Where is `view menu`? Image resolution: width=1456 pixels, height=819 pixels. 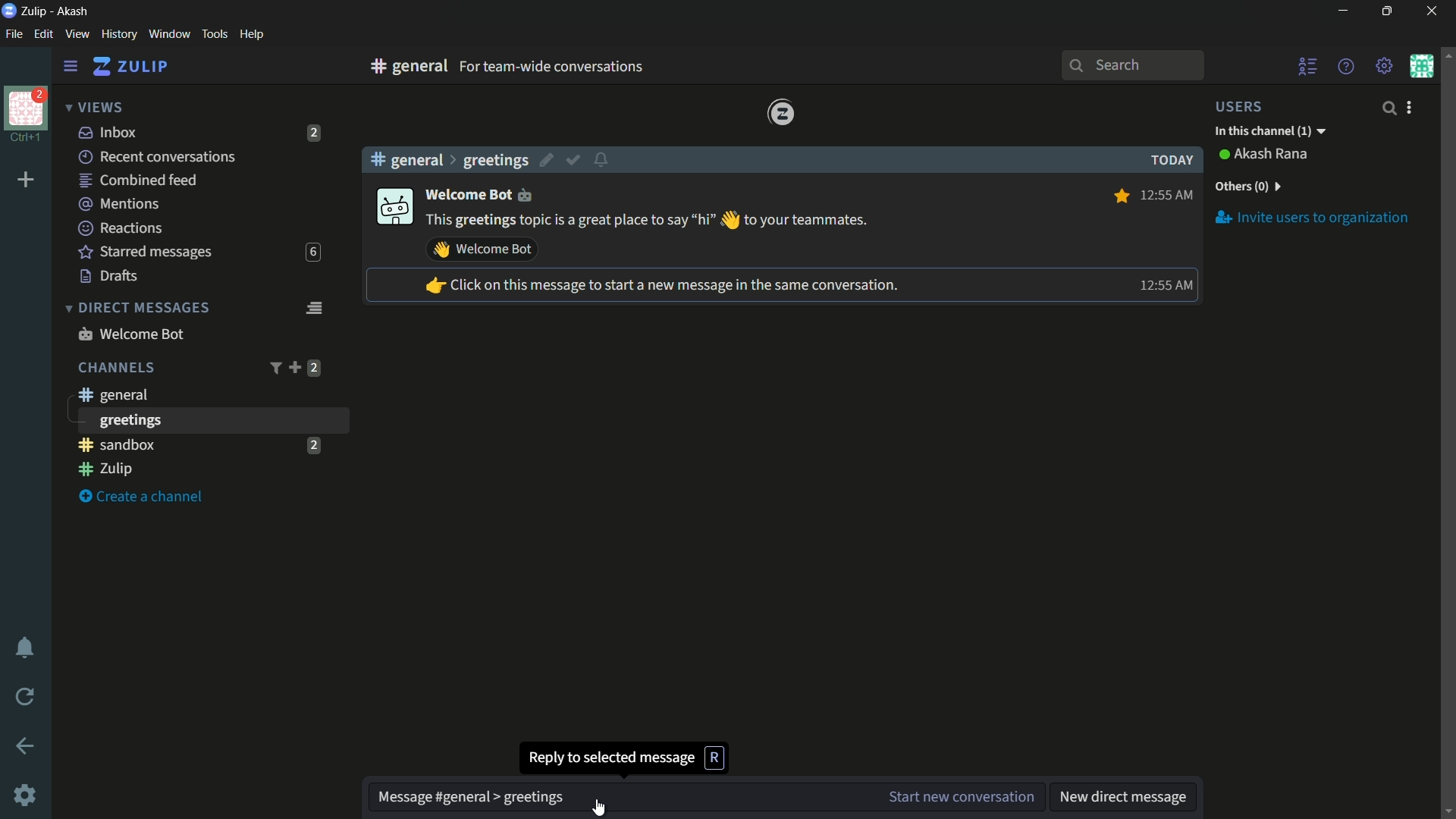
view menu is located at coordinates (77, 33).